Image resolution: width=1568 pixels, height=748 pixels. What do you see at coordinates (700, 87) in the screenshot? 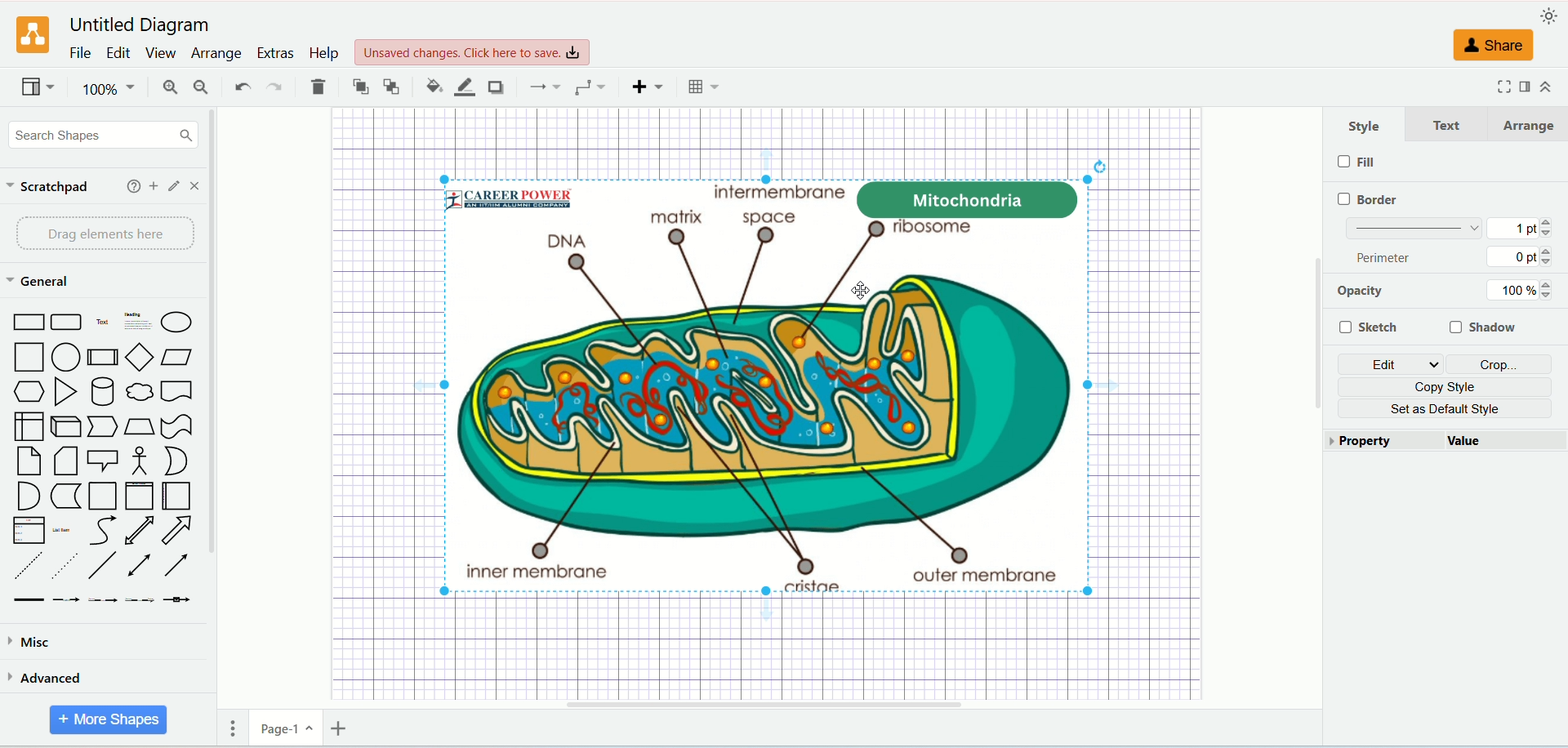
I see `Table` at bounding box center [700, 87].